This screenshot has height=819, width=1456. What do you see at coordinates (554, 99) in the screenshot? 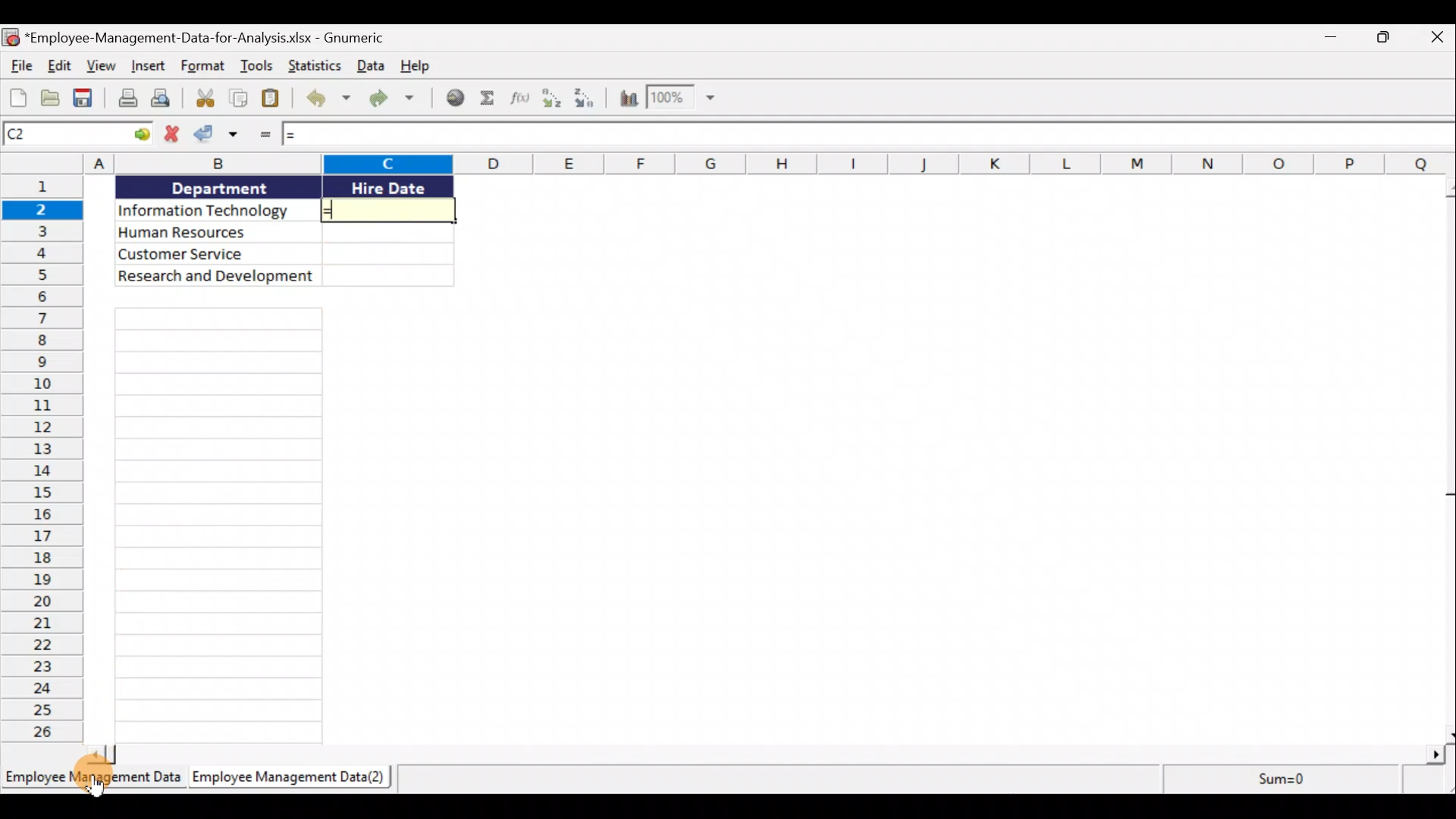
I see `Sort Ascending` at bounding box center [554, 99].